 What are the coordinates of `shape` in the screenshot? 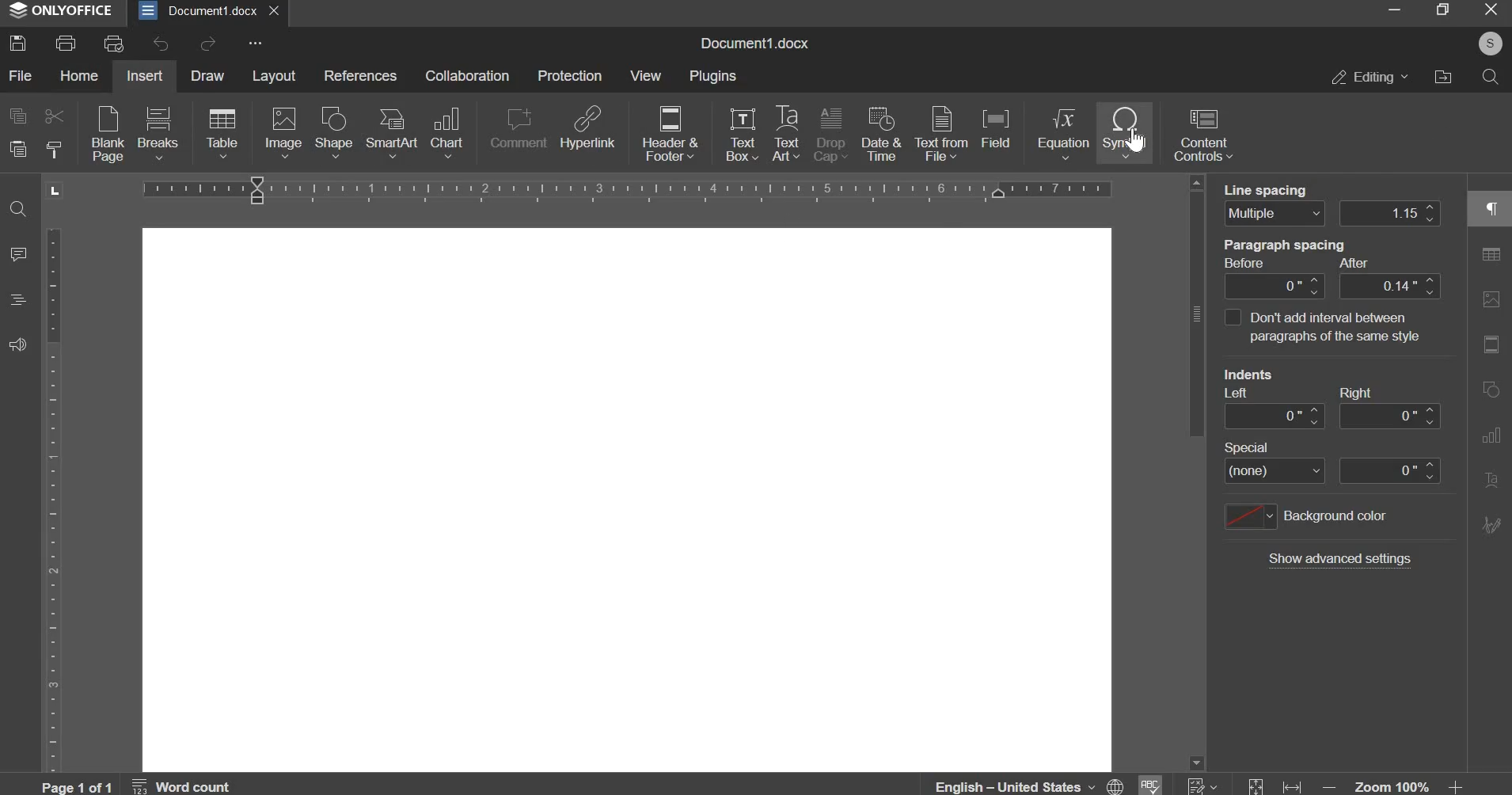 It's located at (334, 130).